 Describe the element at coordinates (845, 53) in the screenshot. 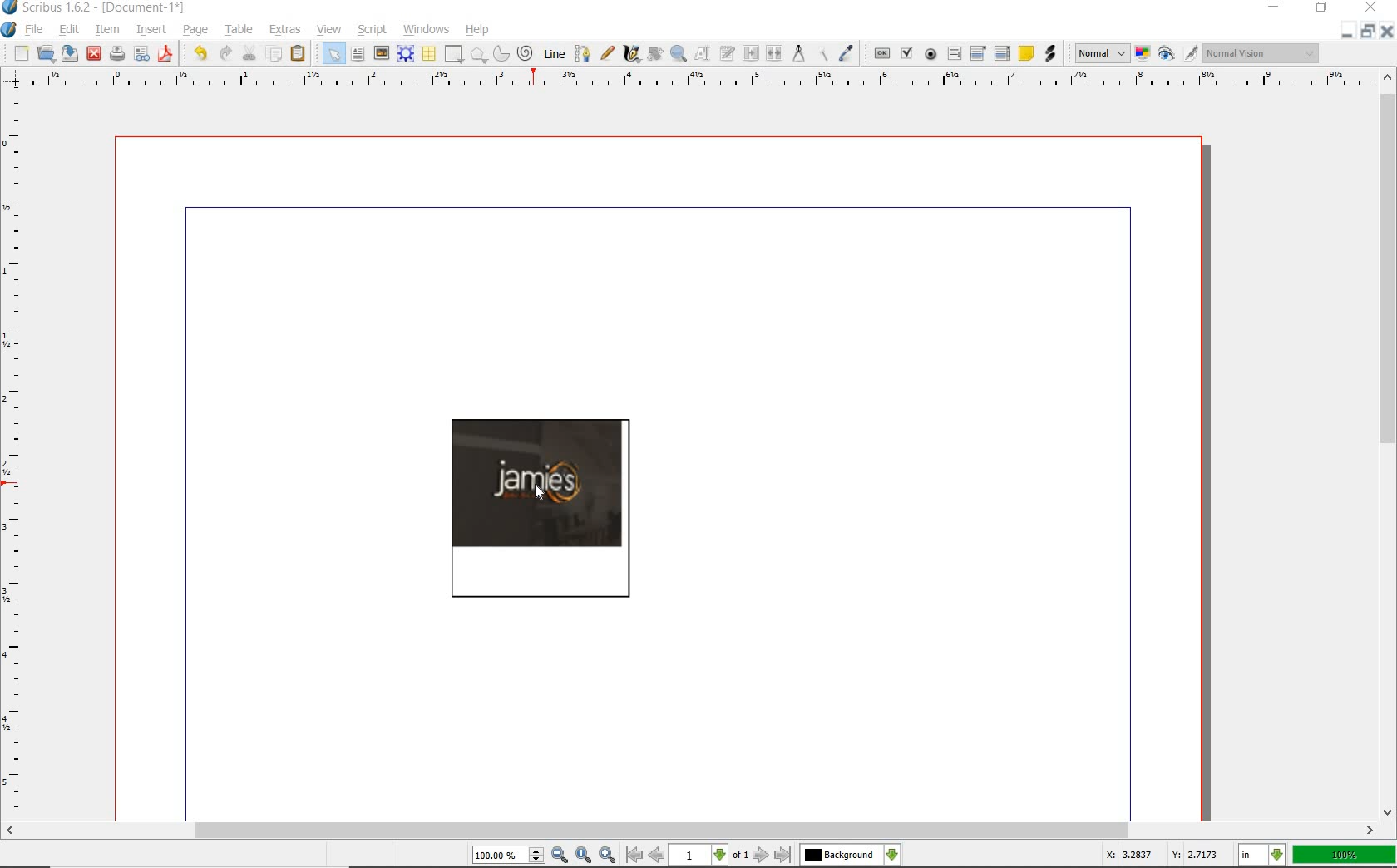

I see `eye dropper` at that location.